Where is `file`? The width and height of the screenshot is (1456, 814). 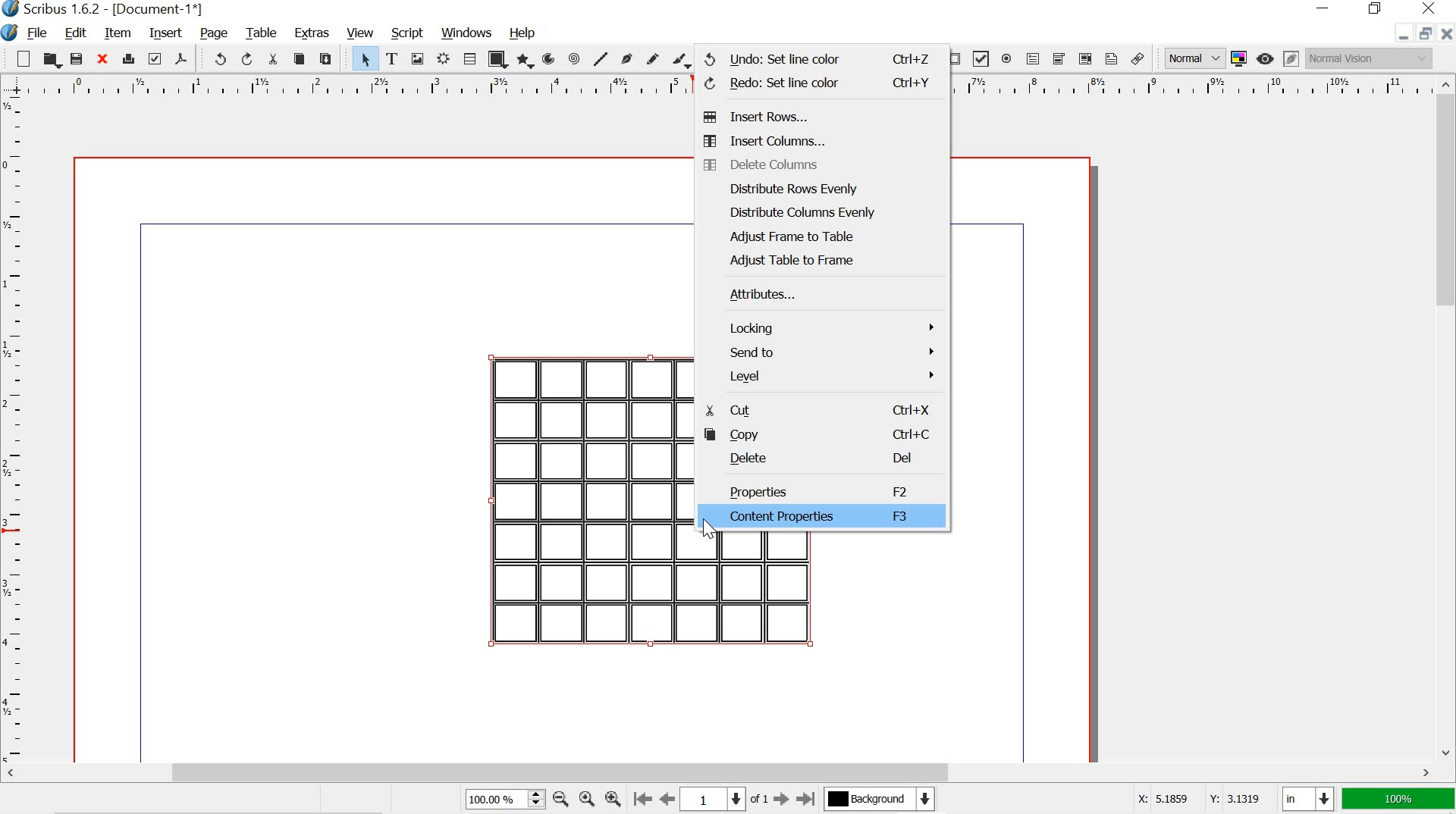 file is located at coordinates (36, 34).